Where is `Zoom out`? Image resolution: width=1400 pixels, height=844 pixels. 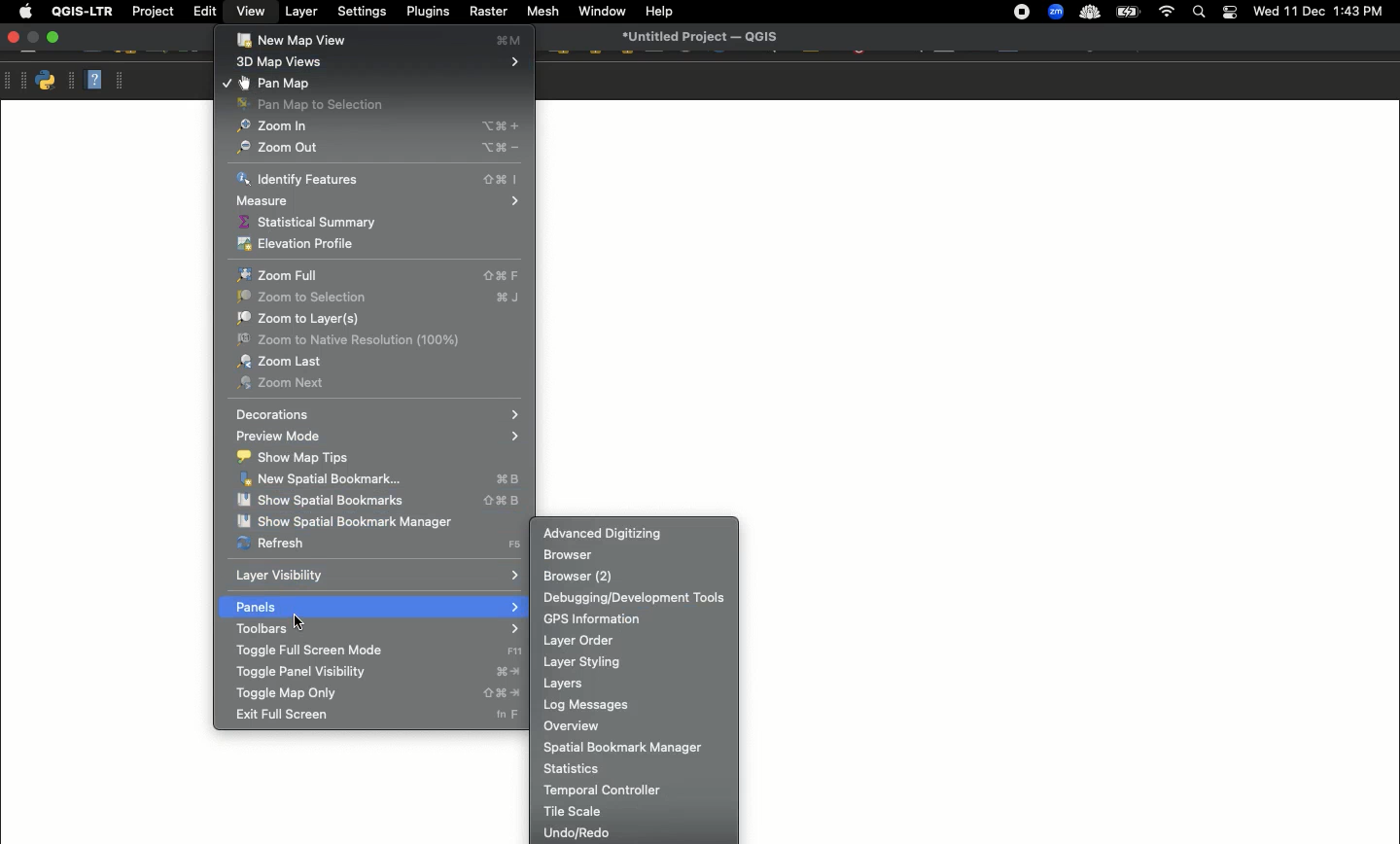 Zoom out is located at coordinates (377, 147).